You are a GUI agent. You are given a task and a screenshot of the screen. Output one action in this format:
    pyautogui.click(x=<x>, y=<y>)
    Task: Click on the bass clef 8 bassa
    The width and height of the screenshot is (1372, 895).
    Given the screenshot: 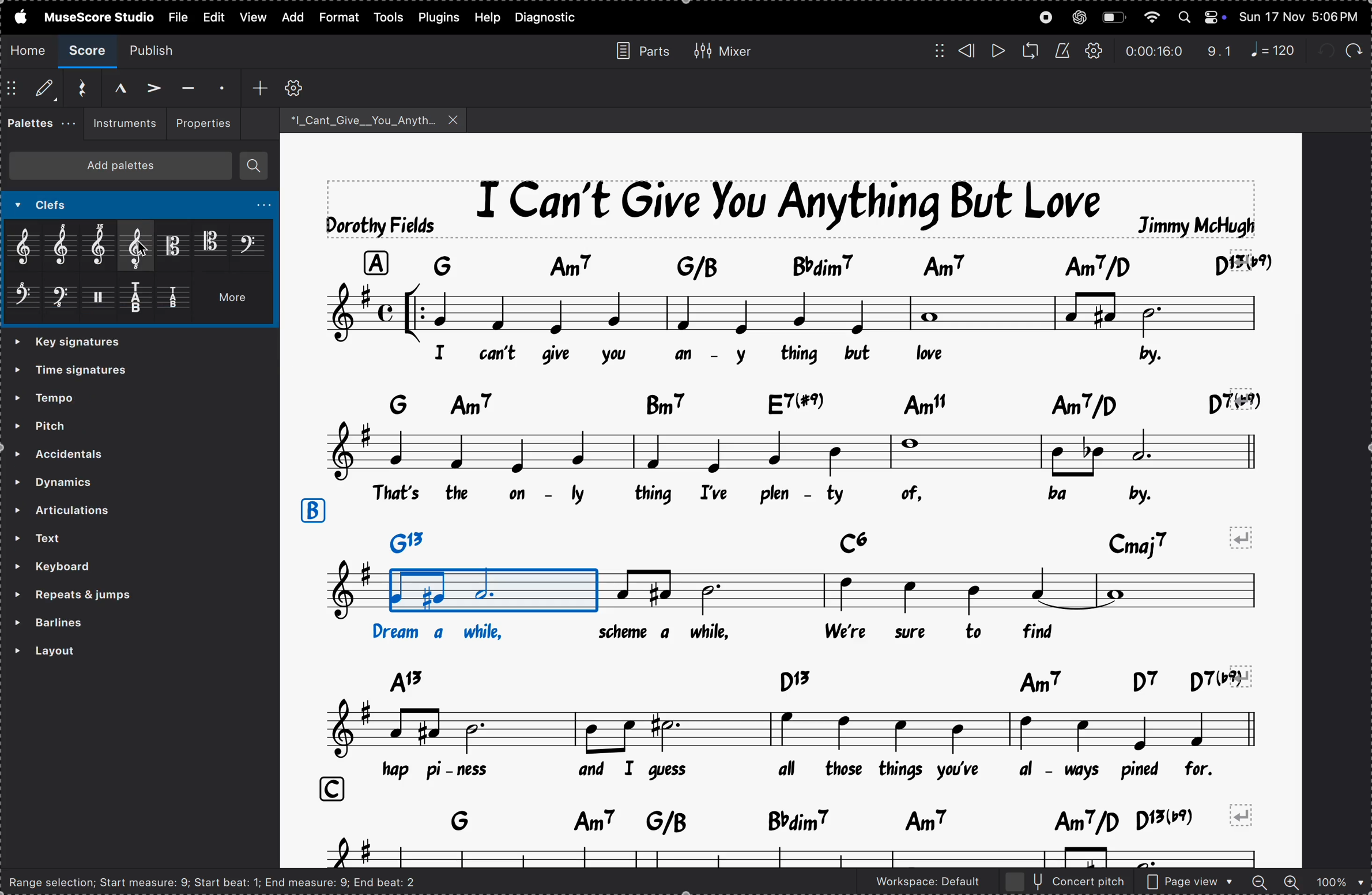 What is the action you would take?
    pyautogui.click(x=61, y=302)
    